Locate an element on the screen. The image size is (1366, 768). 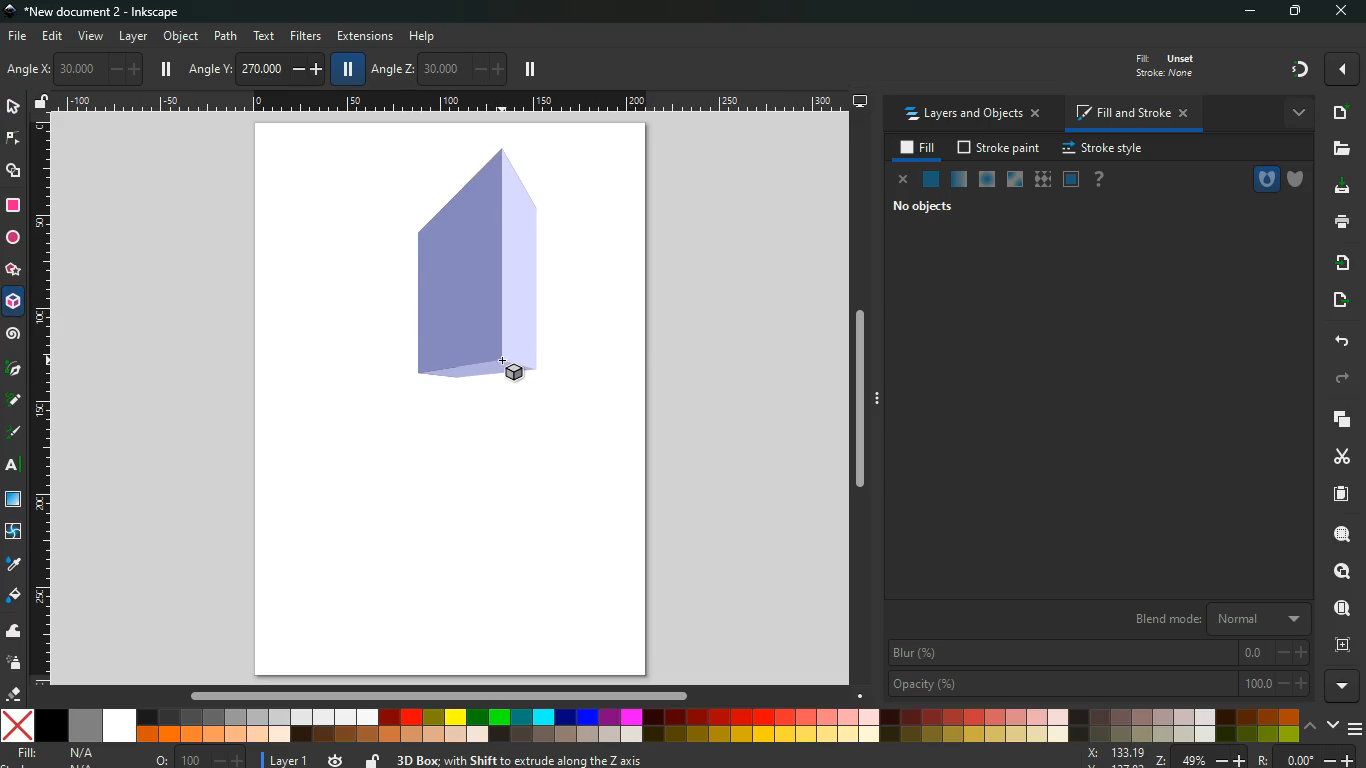
wave is located at coordinates (14, 633).